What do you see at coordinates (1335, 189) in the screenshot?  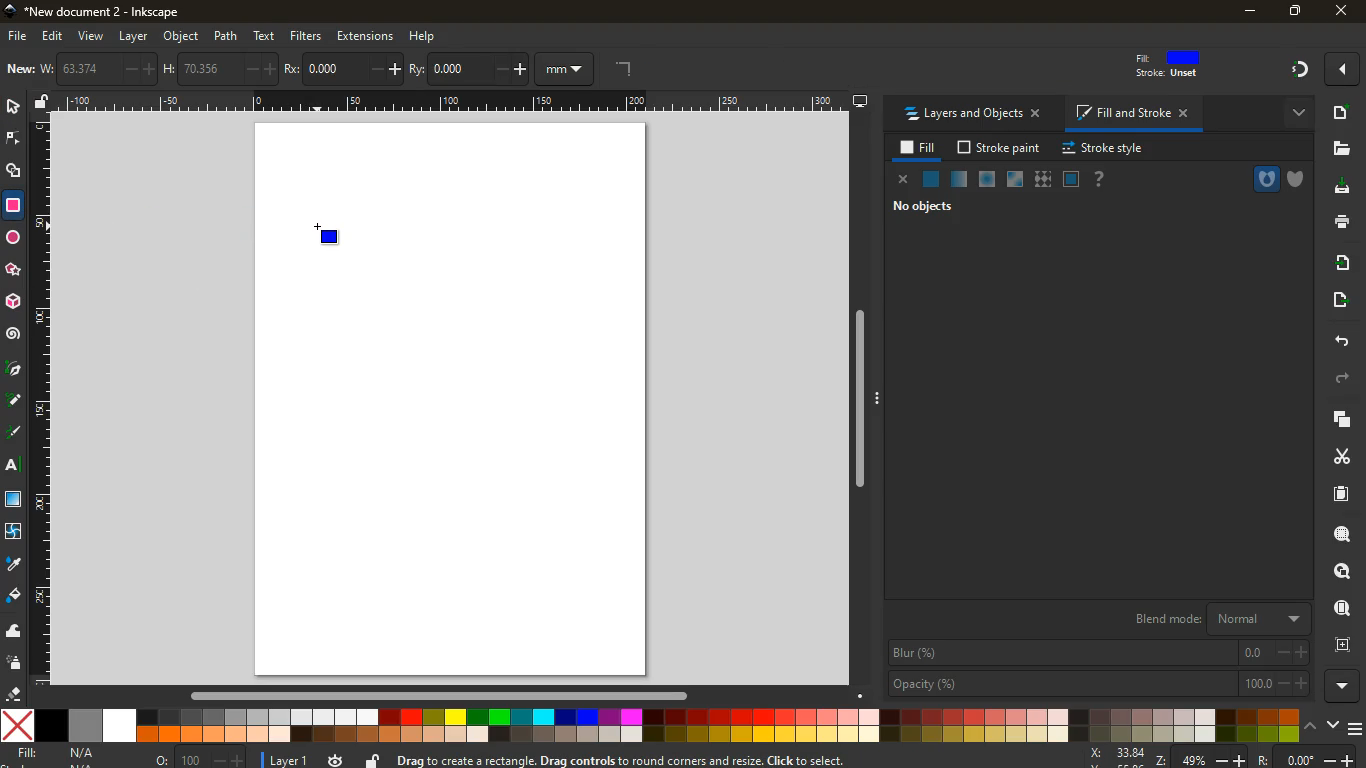 I see `desktop` at bounding box center [1335, 189].